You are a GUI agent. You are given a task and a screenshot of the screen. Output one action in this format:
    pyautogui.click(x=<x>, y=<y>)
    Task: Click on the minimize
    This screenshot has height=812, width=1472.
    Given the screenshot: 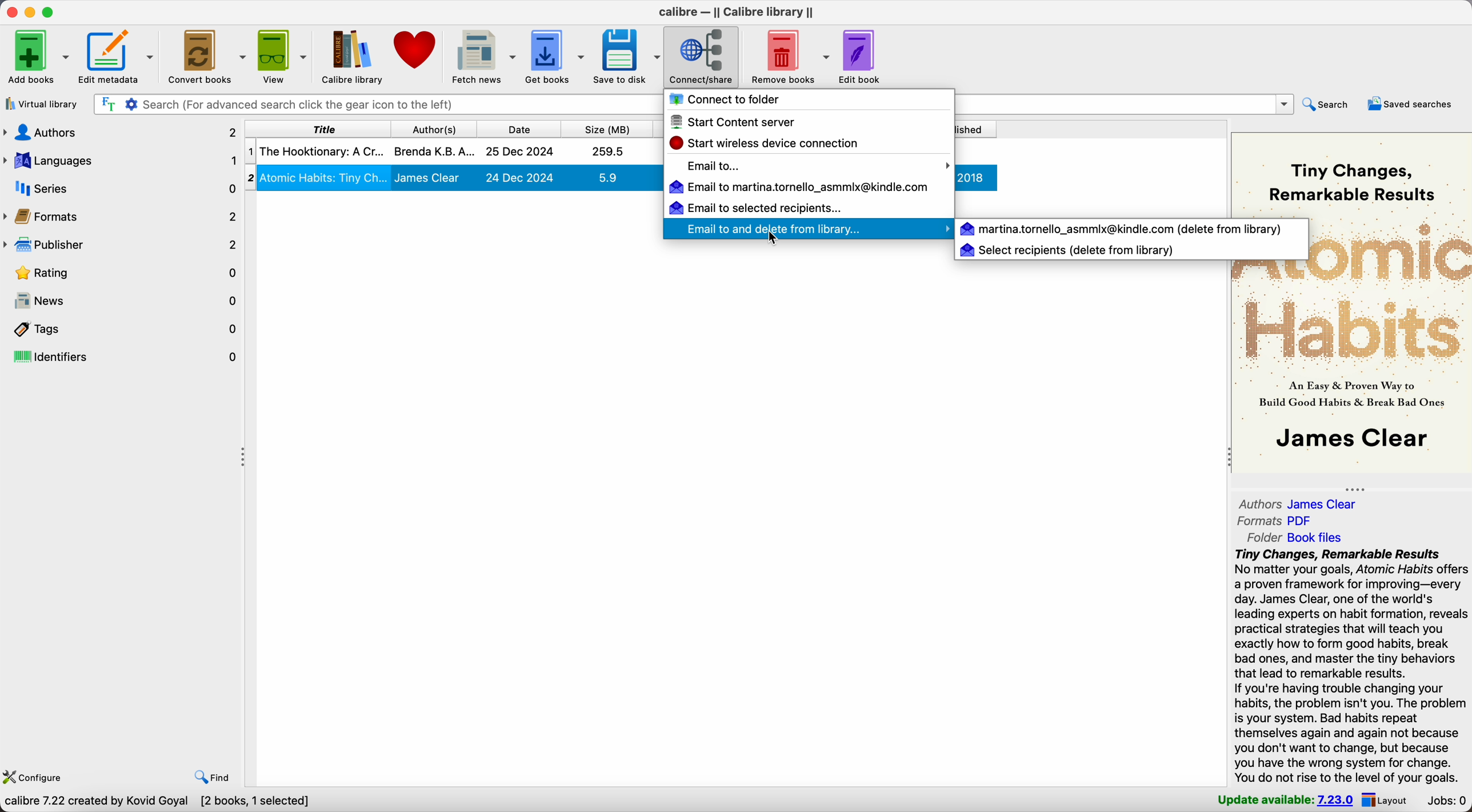 What is the action you would take?
    pyautogui.click(x=30, y=11)
    